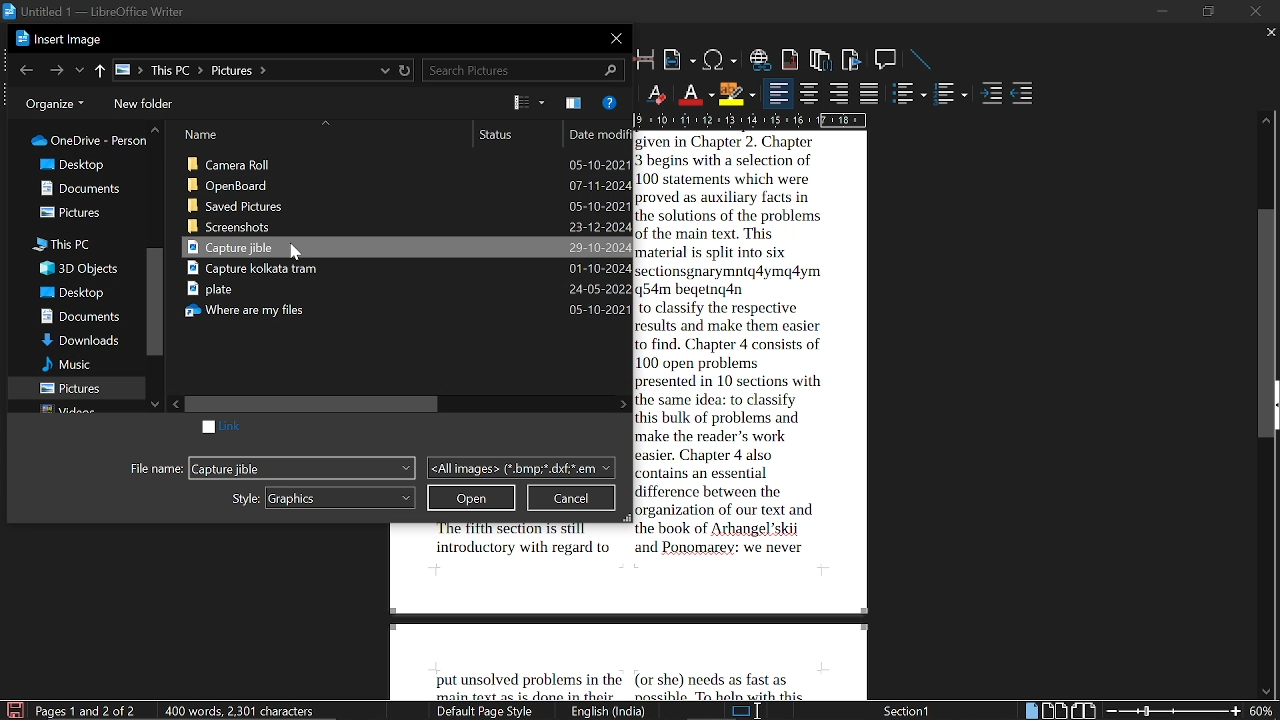  What do you see at coordinates (525, 71) in the screenshot?
I see `search` at bounding box center [525, 71].